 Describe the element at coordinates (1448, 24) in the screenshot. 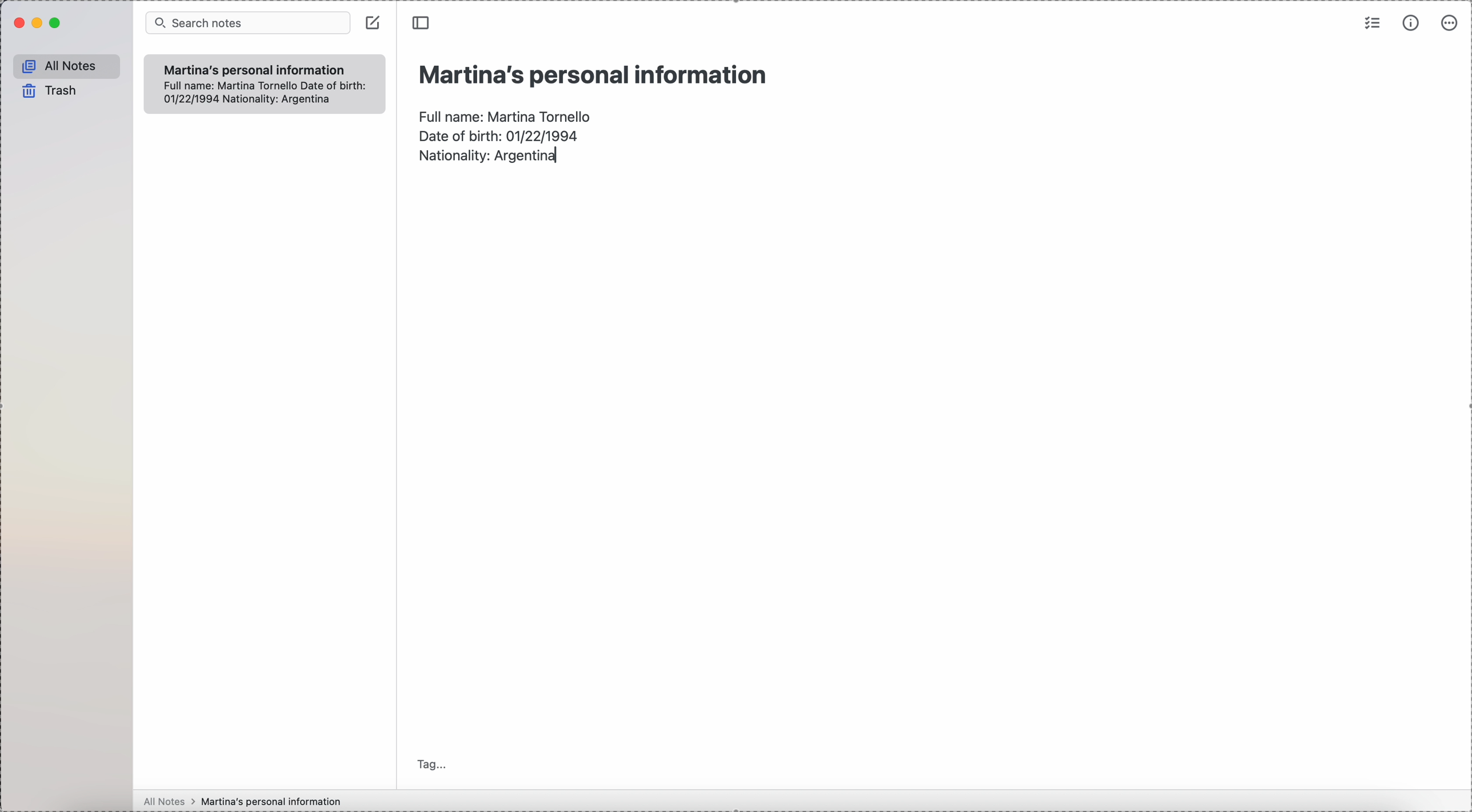

I see `more options` at that location.